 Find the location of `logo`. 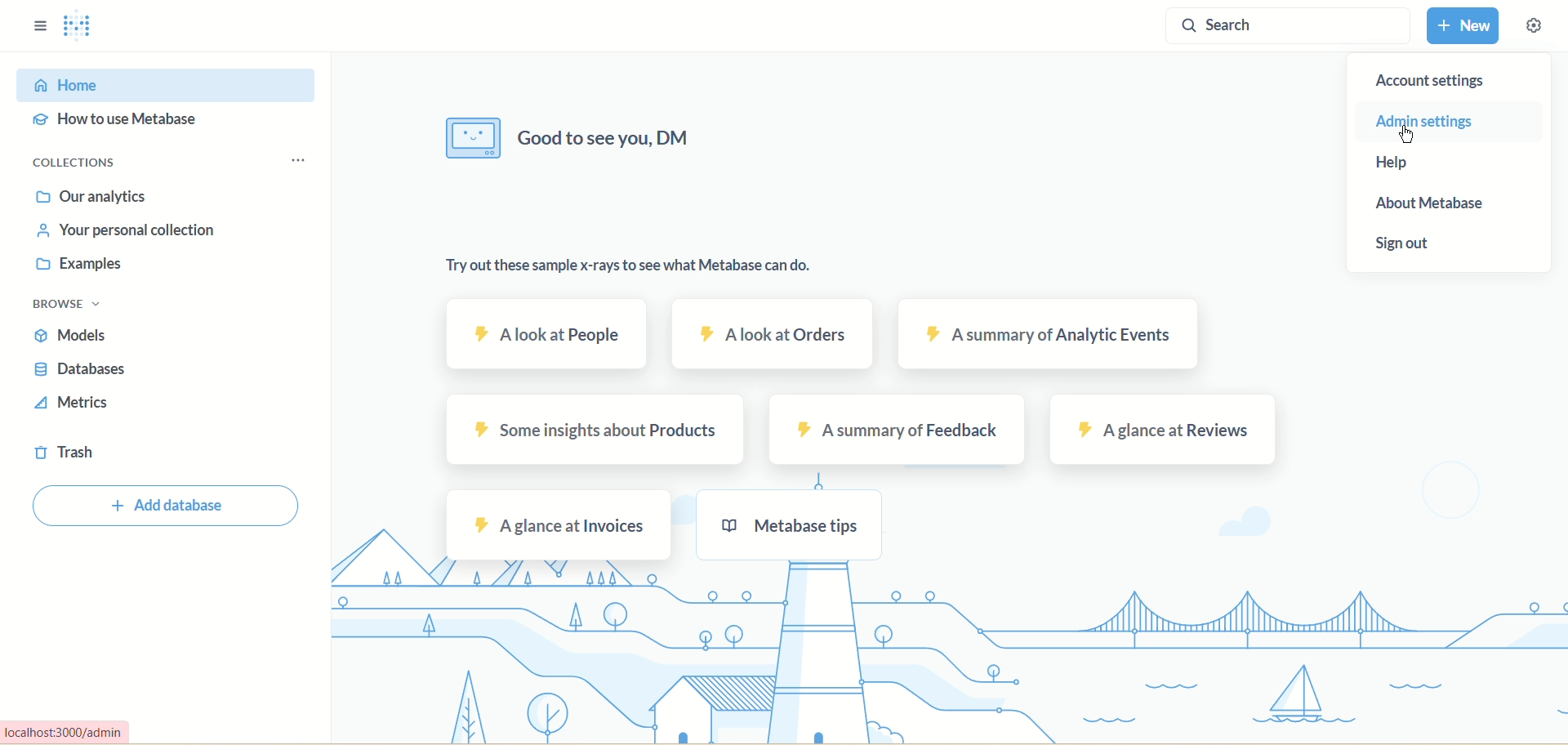

logo is located at coordinates (79, 28).